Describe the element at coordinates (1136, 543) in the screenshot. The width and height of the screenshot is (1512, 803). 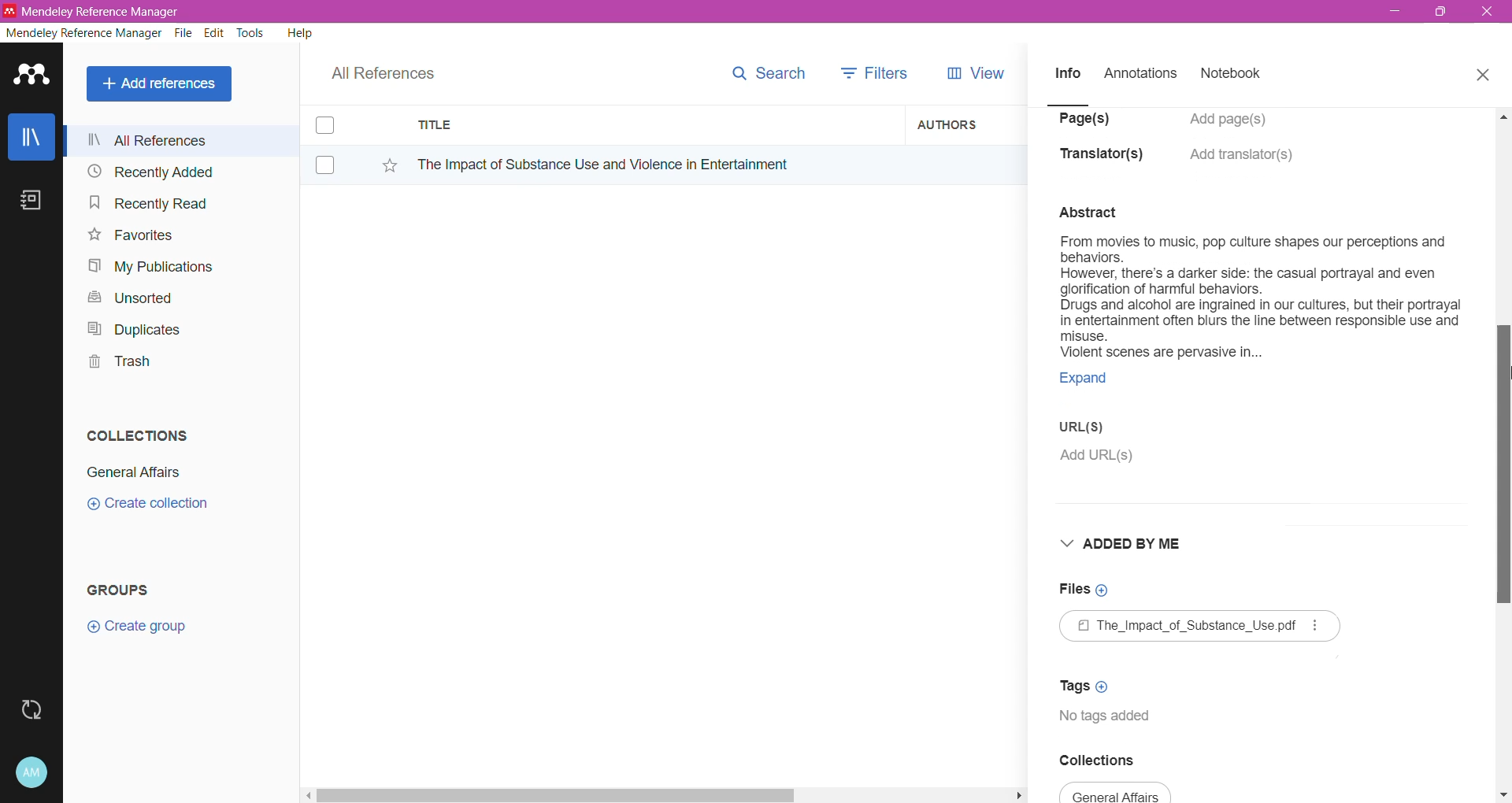
I see ` ADDED BY ME` at that location.